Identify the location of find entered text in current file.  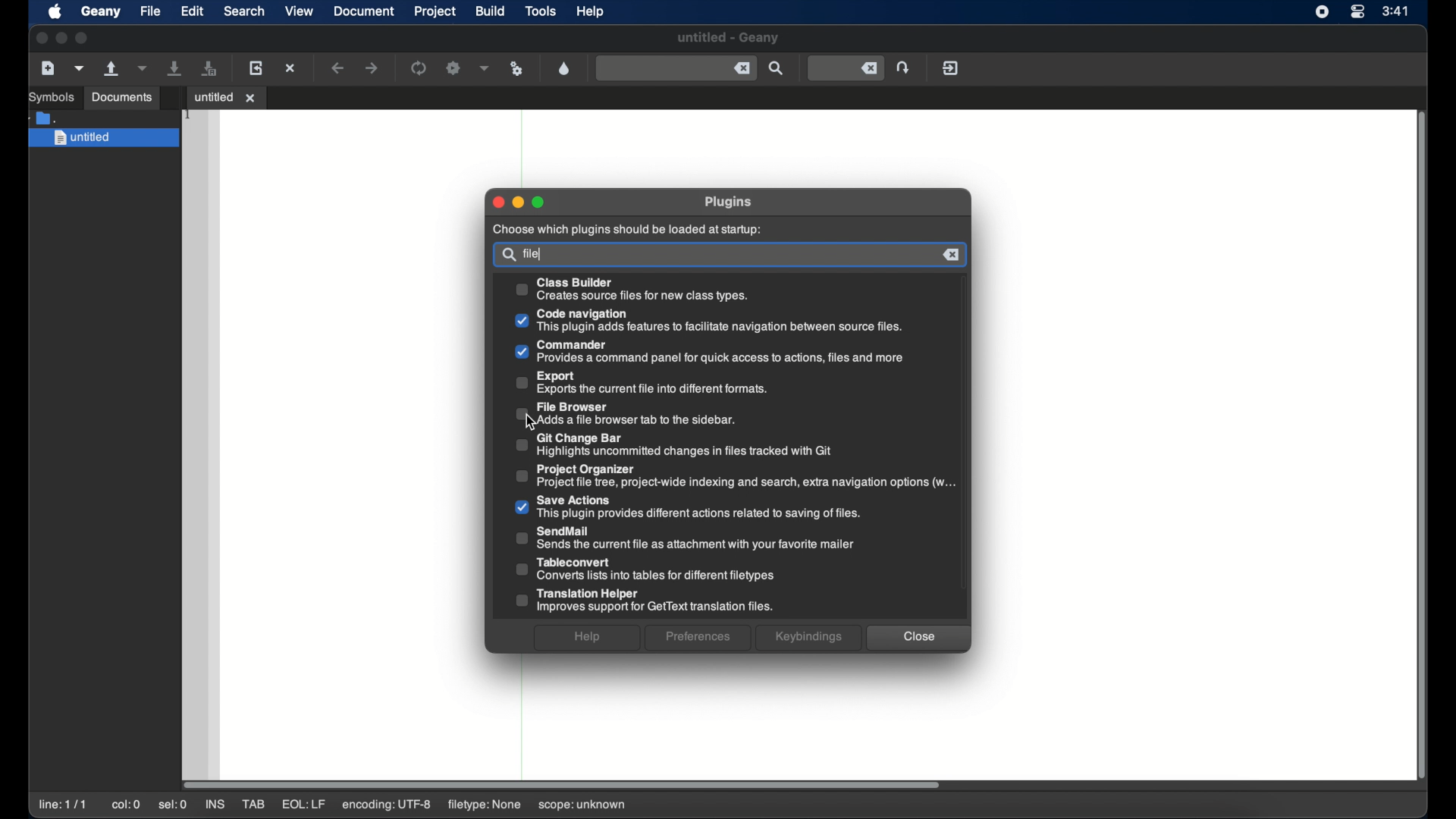
(777, 69).